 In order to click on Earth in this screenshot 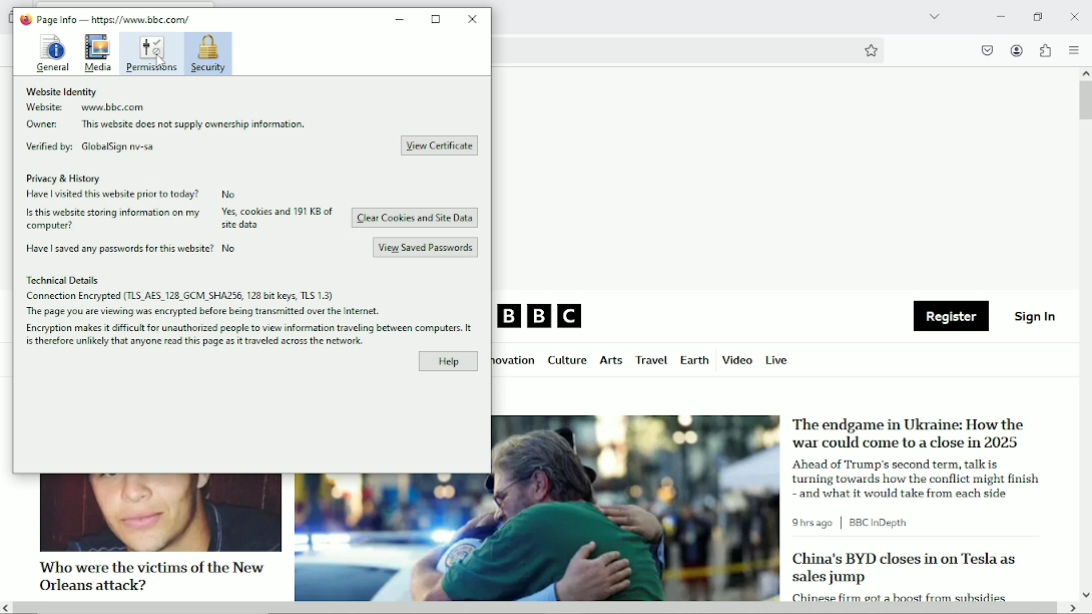, I will do `click(693, 360)`.